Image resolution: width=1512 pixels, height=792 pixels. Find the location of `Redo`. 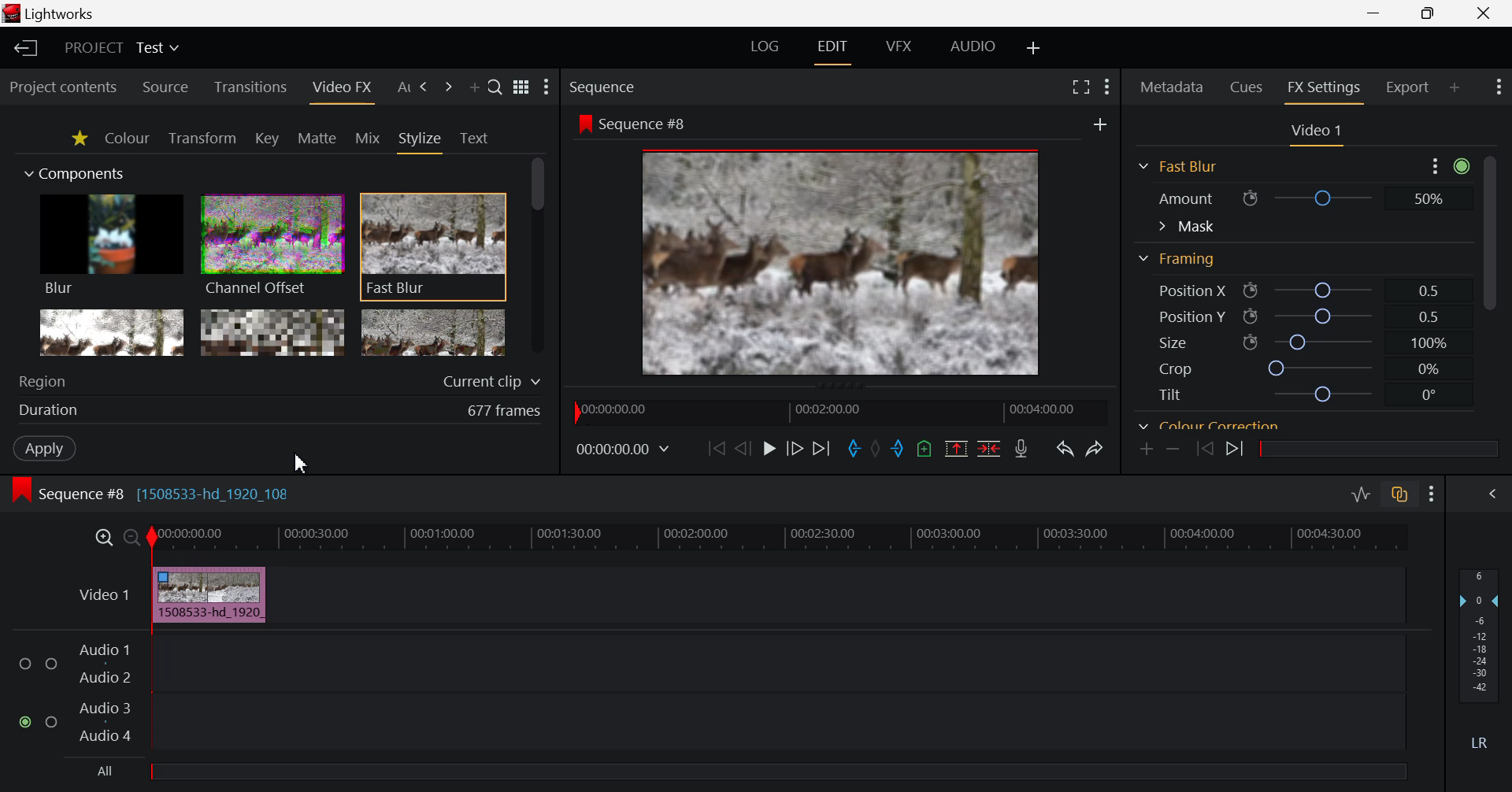

Redo is located at coordinates (1096, 450).